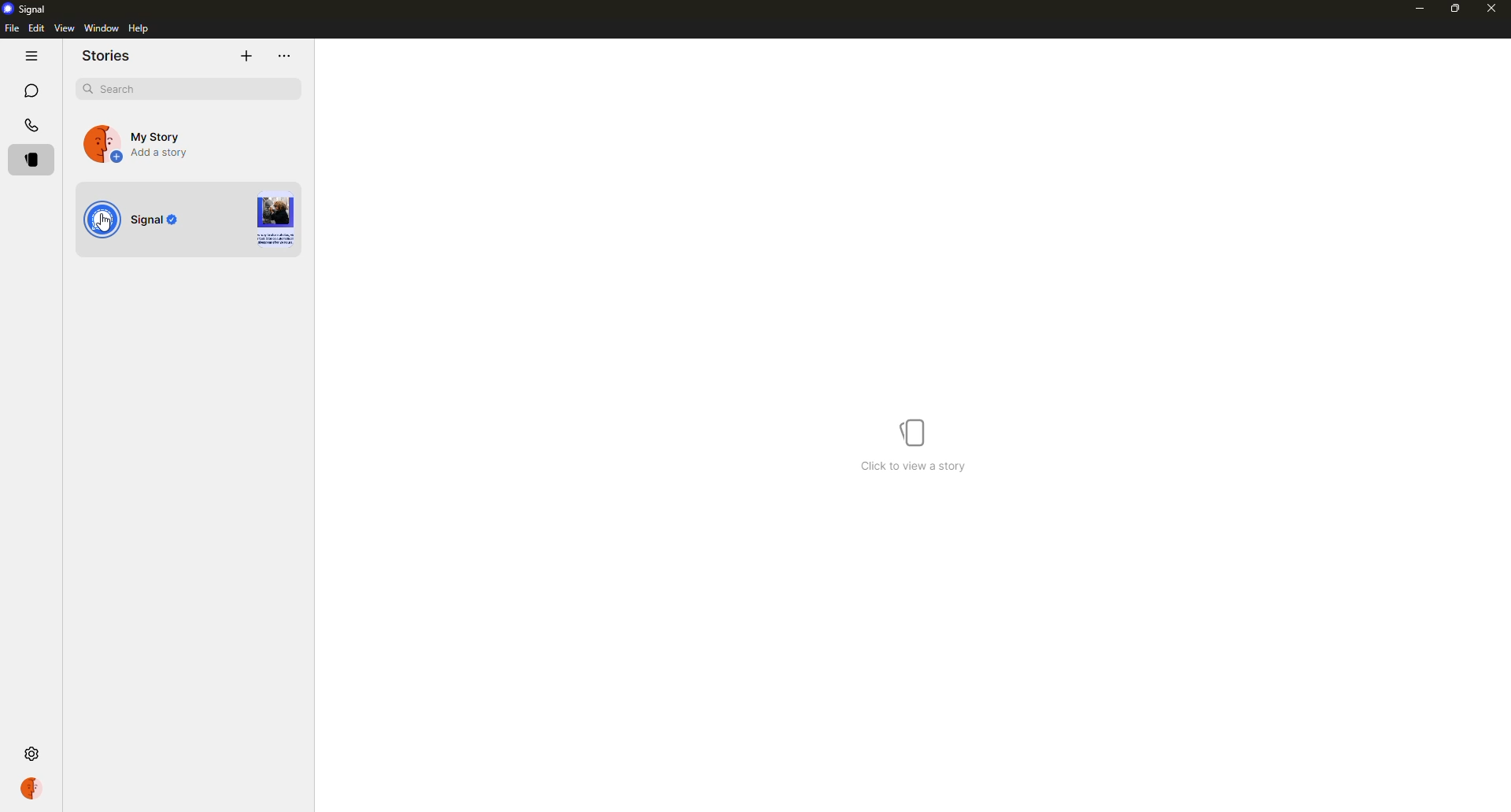 Image resolution: width=1511 pixels, height=812 pixels. What do you see at coordinates (33, 754) in the screenshot?
I see `settings` at bounding box center [33, 754].